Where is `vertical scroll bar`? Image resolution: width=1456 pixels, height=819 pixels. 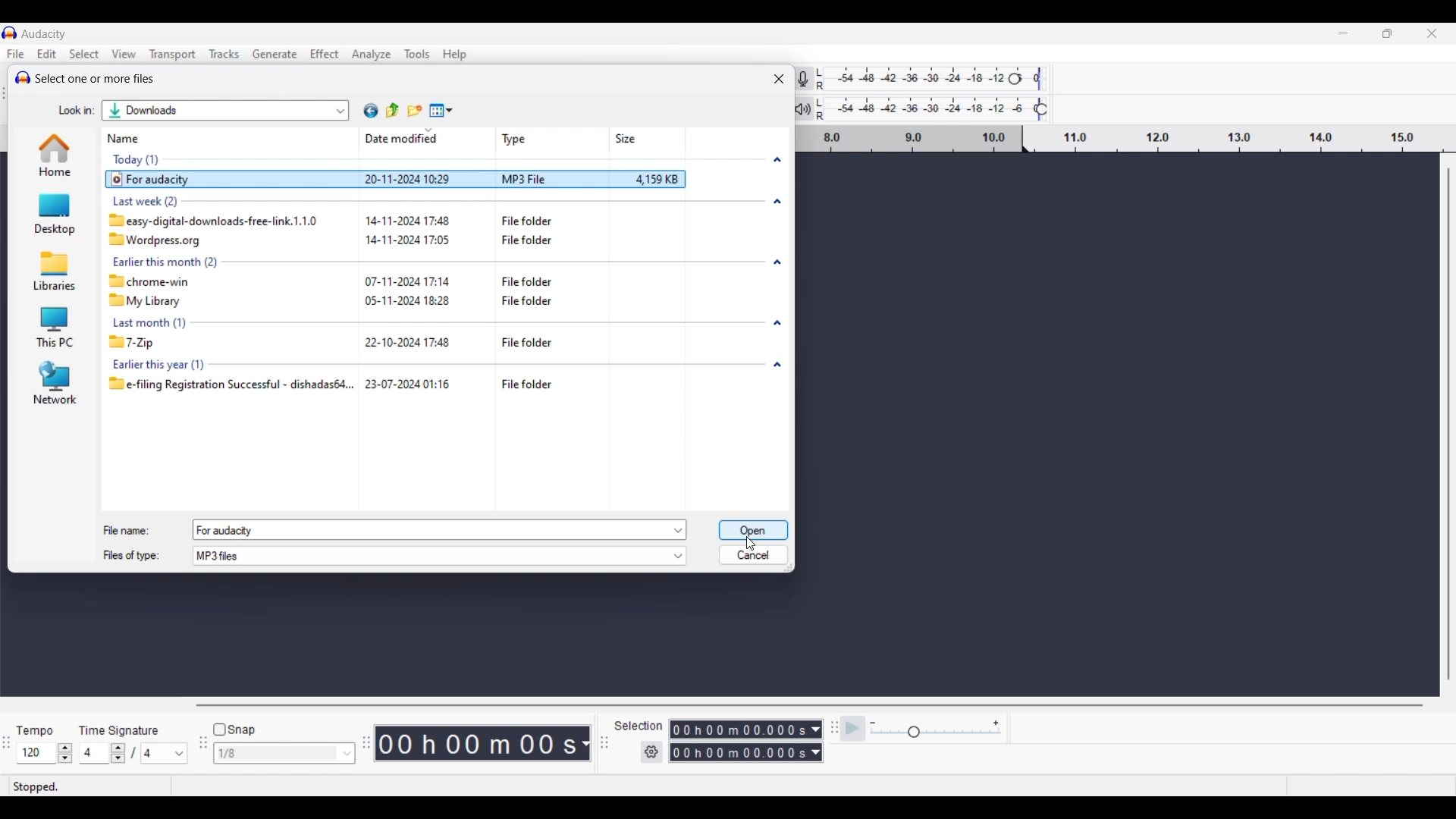
vertical scroll bar is located at coordinates (1447, 427).